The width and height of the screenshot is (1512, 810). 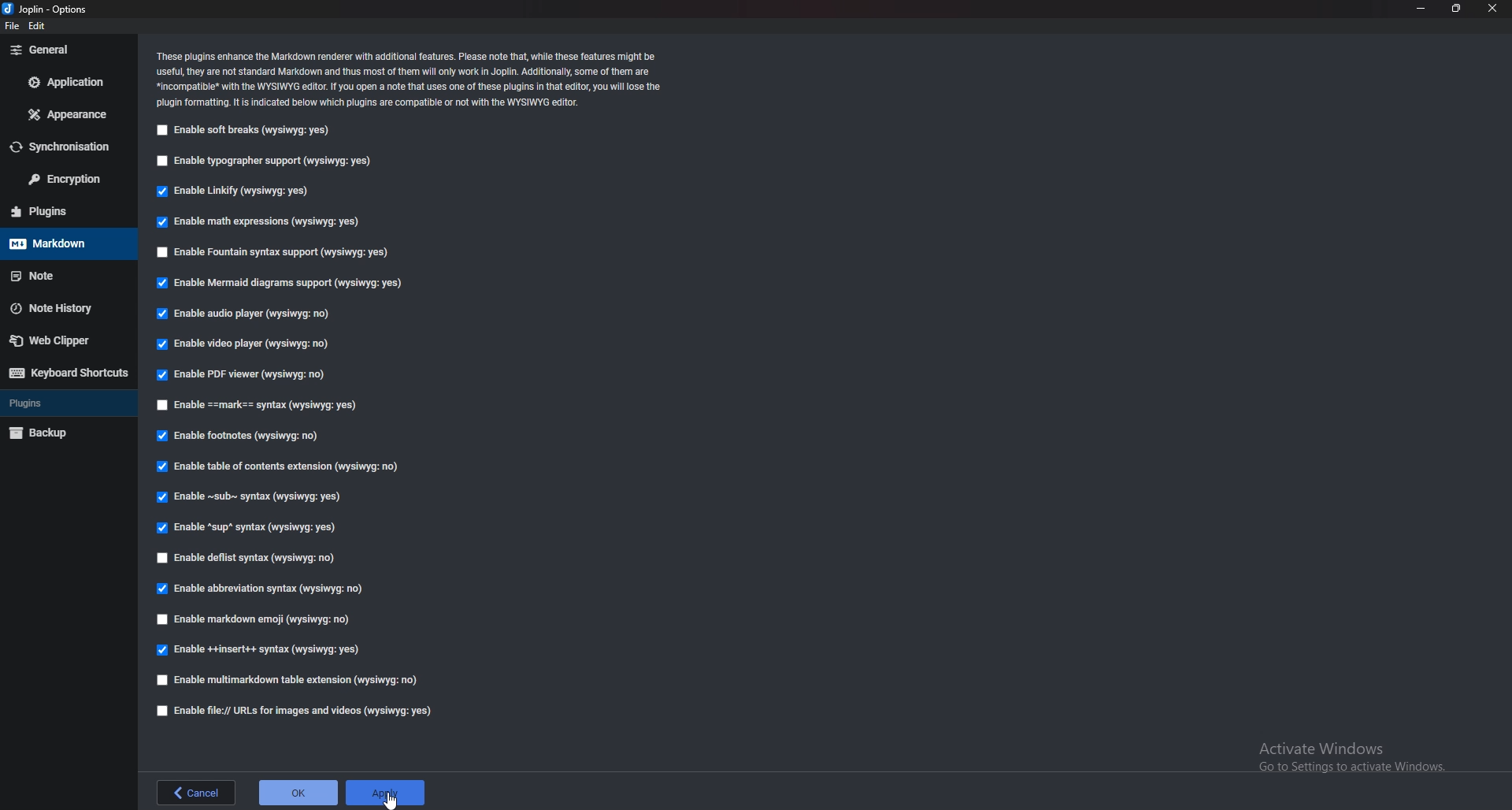 I want to click on Plugins, so click(x=61, y=211).